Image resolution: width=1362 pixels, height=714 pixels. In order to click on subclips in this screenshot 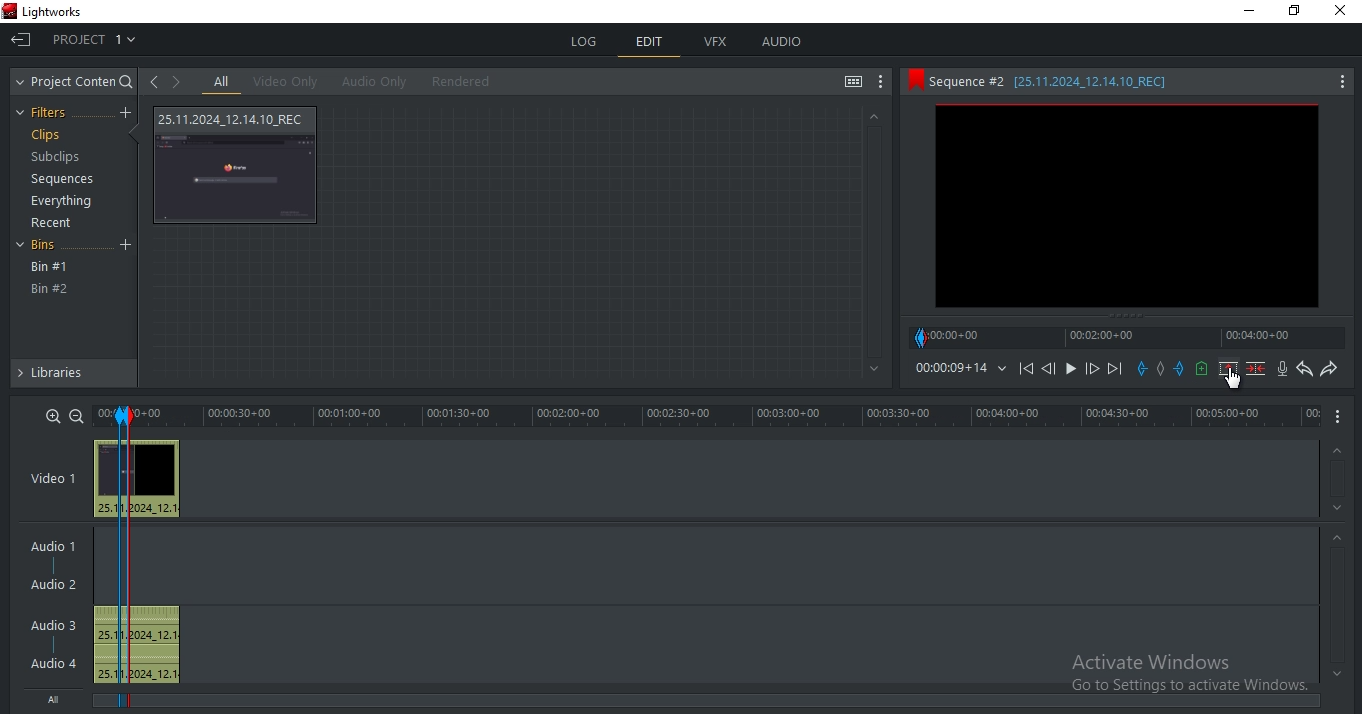, I will do `click(58, 159)`.